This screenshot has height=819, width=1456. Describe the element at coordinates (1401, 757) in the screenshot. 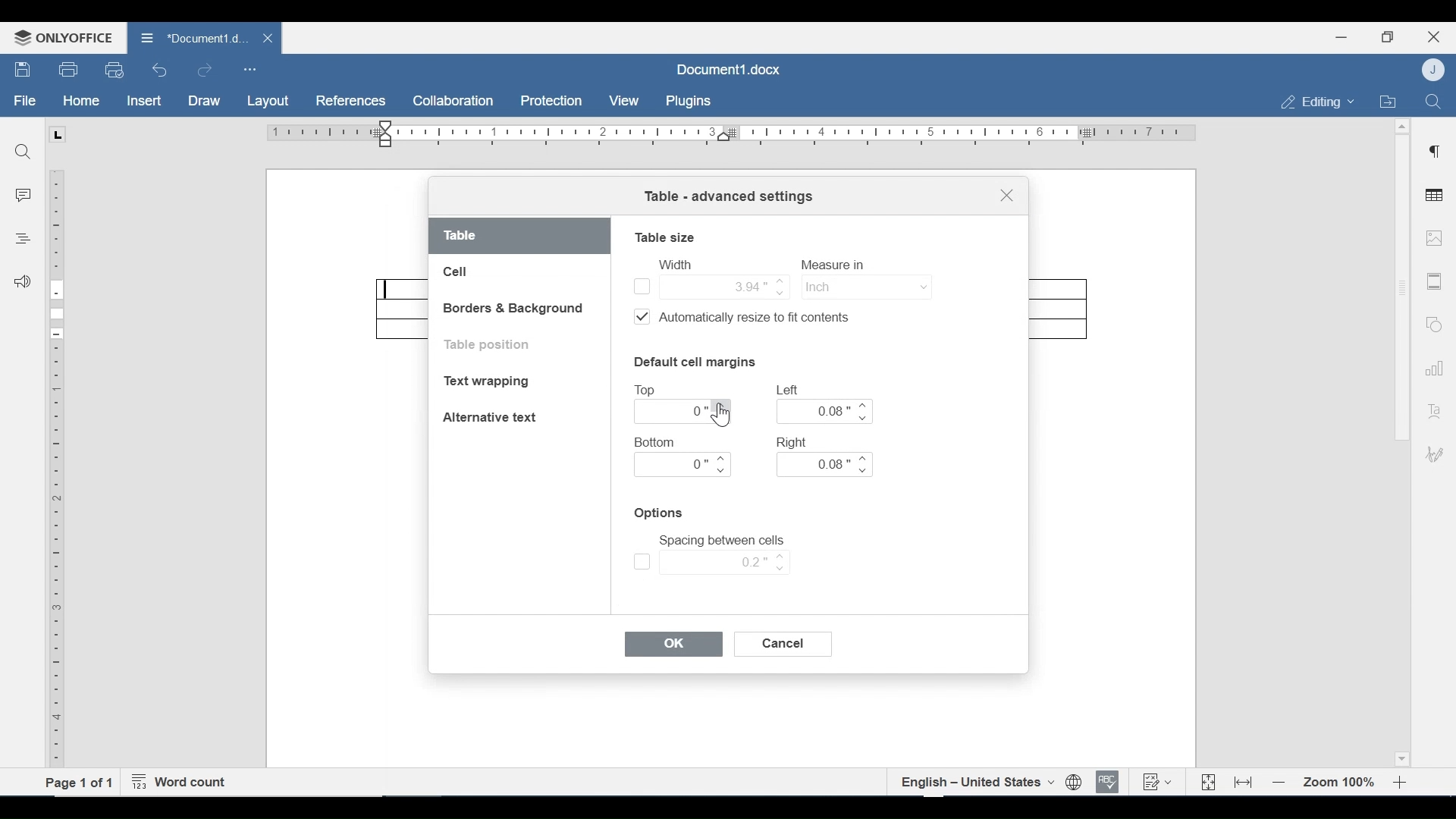

I see `Scroll down` at that location.